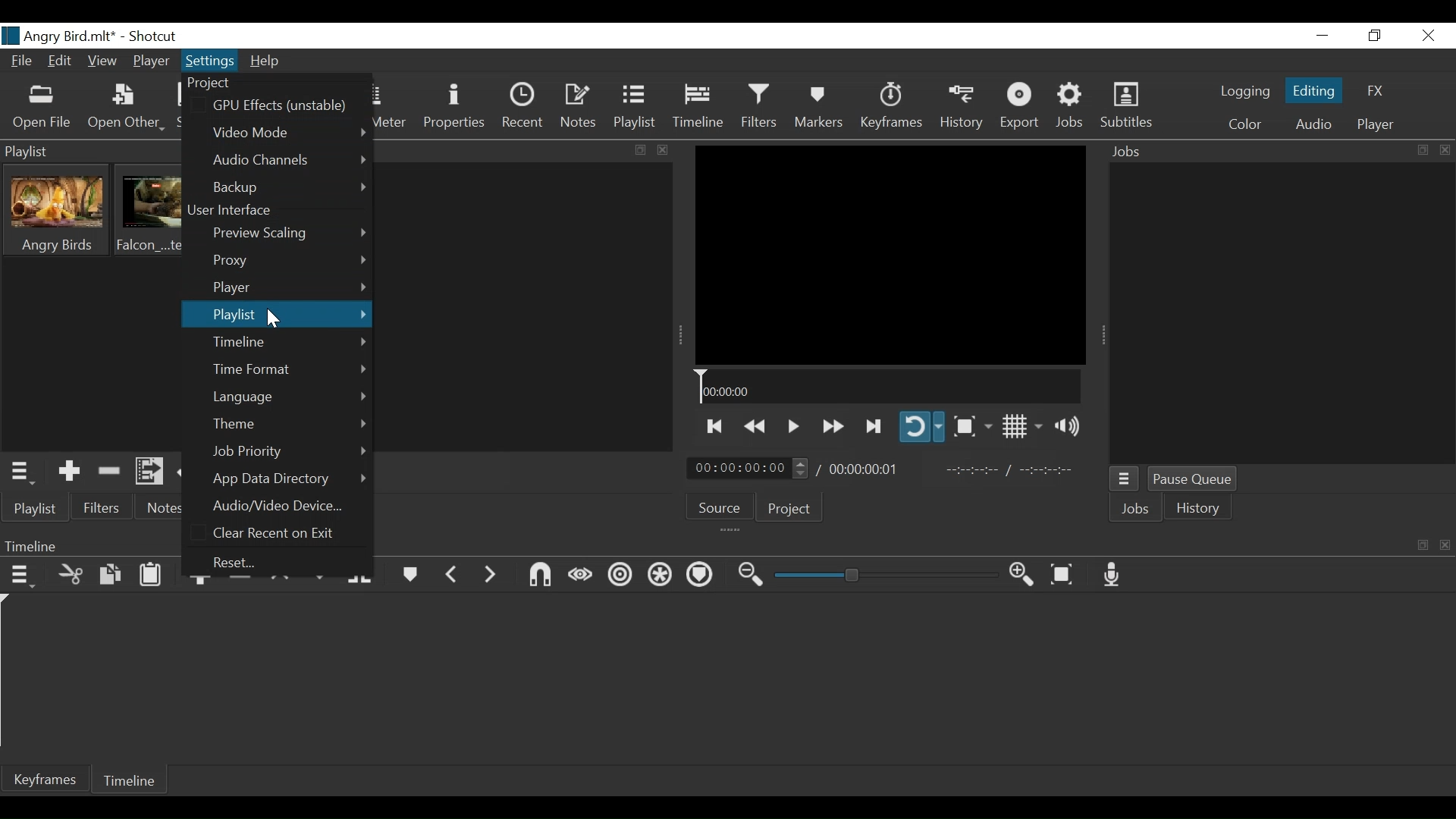 Image resolution: width=1456 pixels, height=819 pixels. I want to click on Zoom timeline to fit, so click(1064, 575).